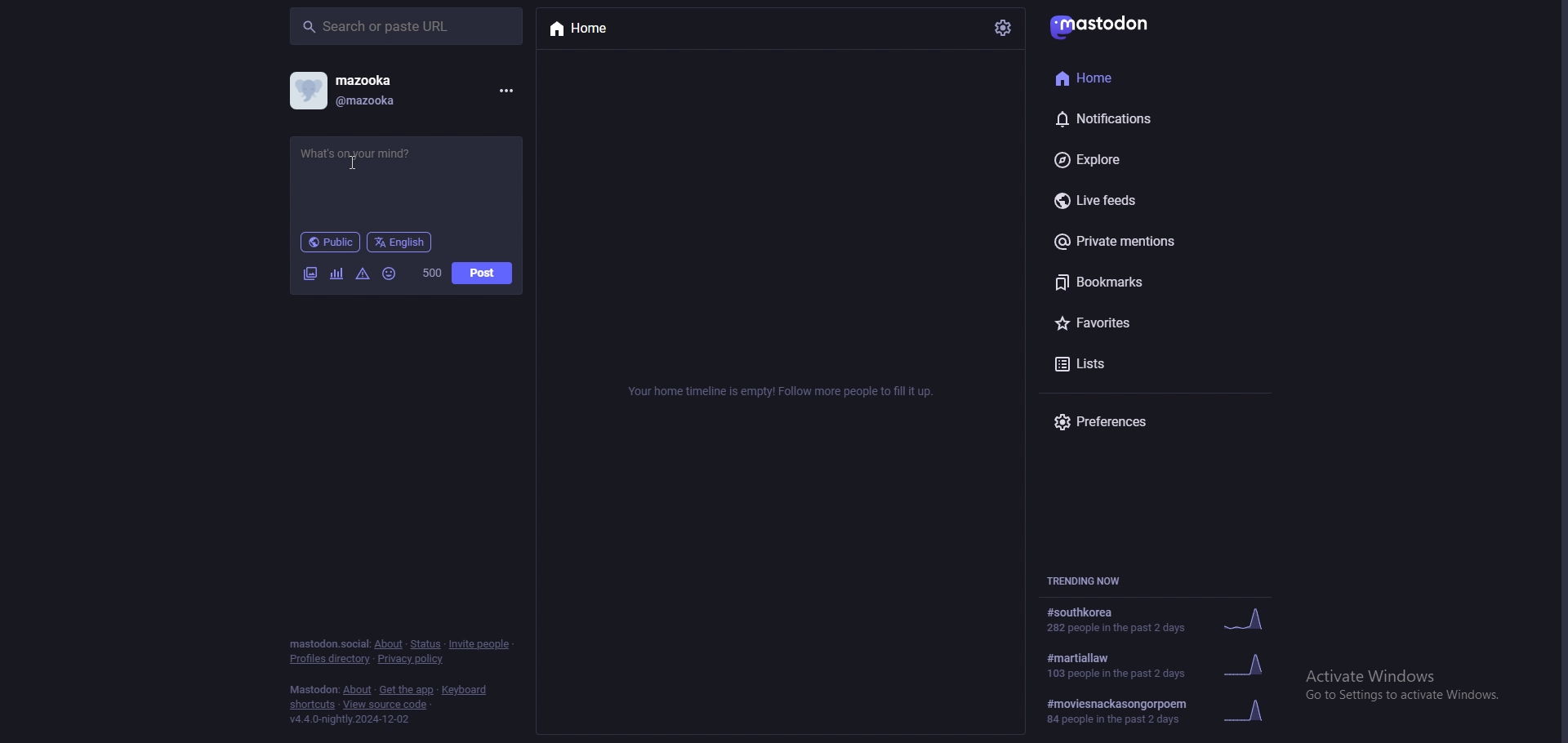 The width and height of the screenshot is (1568, 743). I want to click on explore, so click(1137, 158).